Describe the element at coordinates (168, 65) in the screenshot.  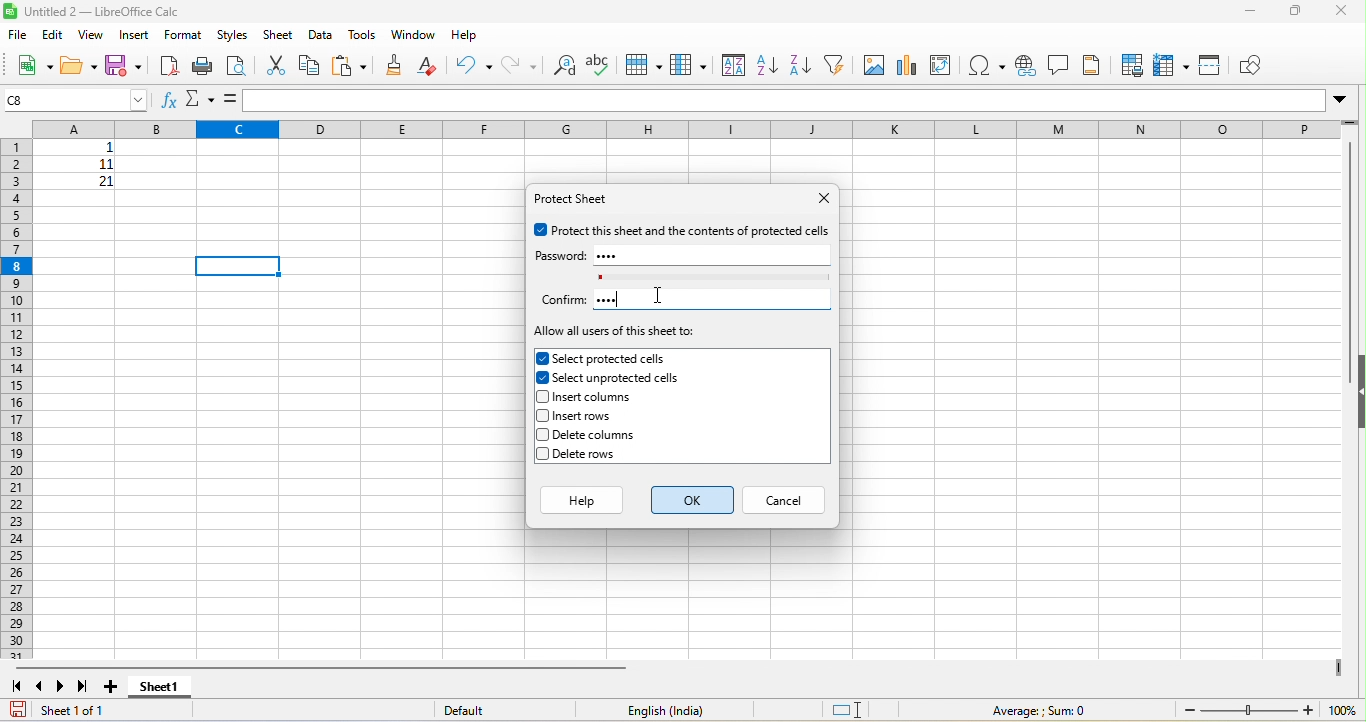
I see `export pdf` at that location.